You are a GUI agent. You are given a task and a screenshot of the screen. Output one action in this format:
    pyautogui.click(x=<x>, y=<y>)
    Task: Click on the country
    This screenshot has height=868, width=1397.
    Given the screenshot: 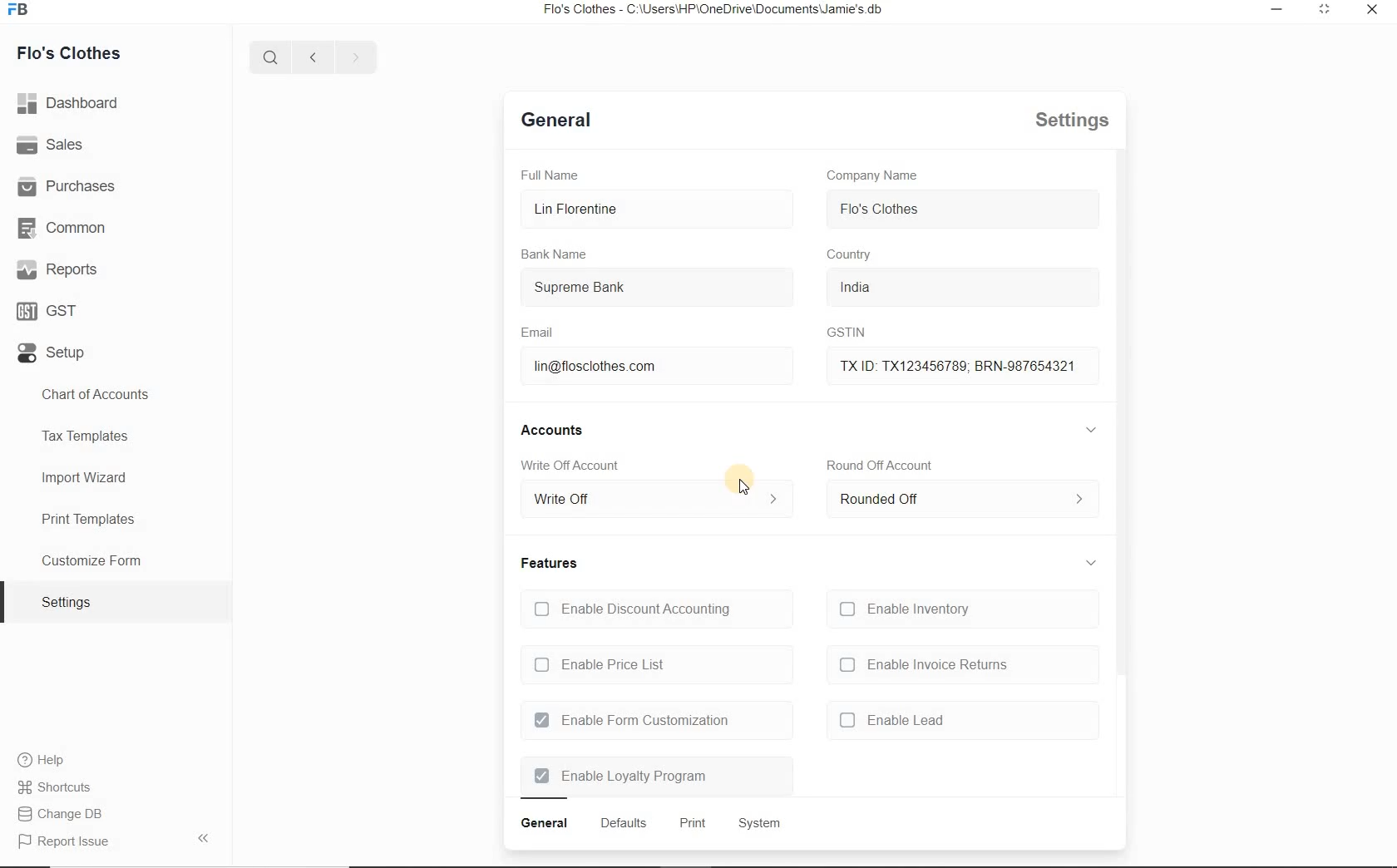 What is the action you would take?
    pyautogui.click(x=852, y=255)
    